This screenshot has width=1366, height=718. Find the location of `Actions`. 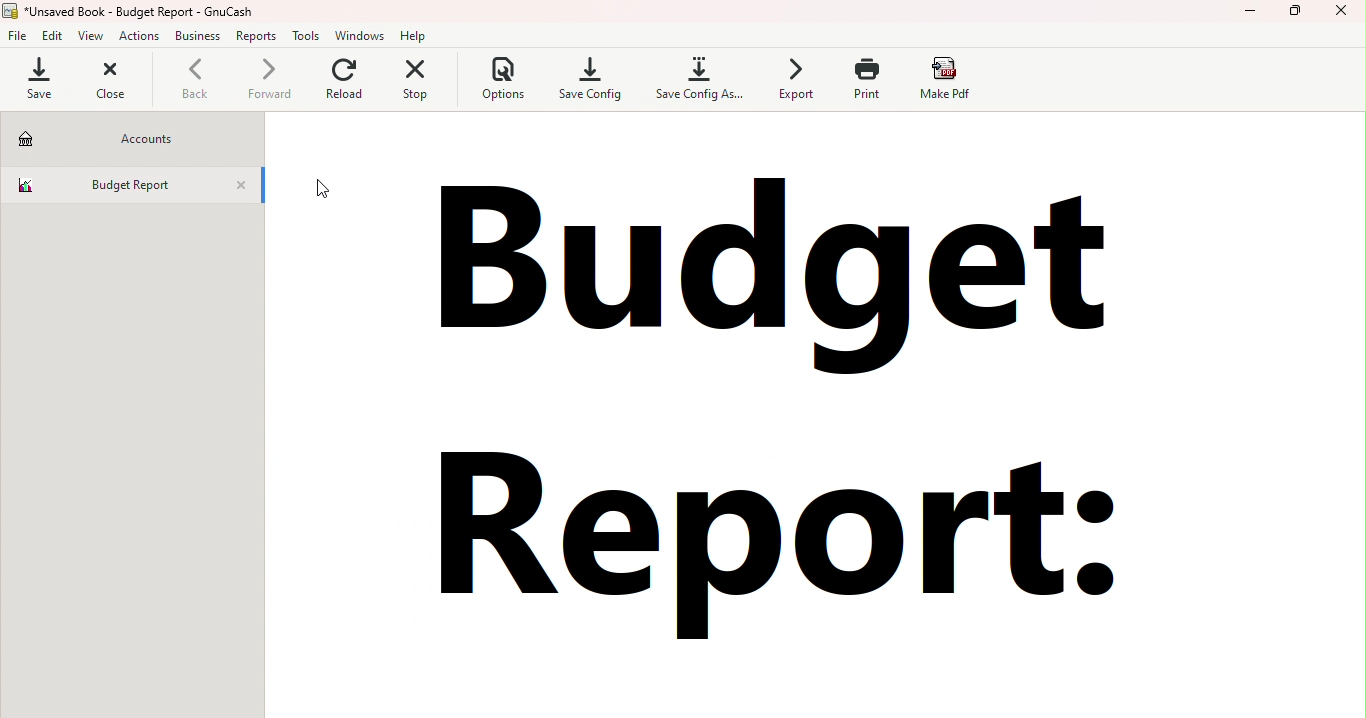

Actions is located at coordinates (138, 38).